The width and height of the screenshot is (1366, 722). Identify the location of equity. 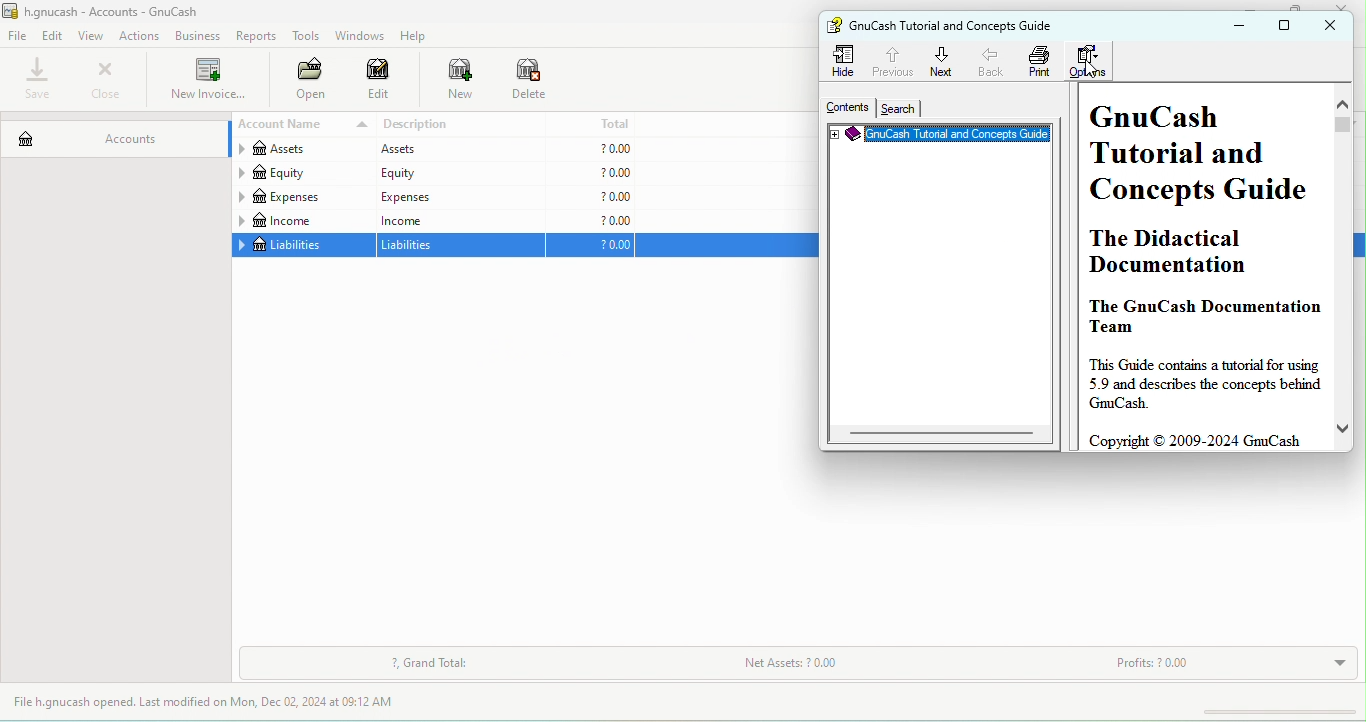
(301, 174).